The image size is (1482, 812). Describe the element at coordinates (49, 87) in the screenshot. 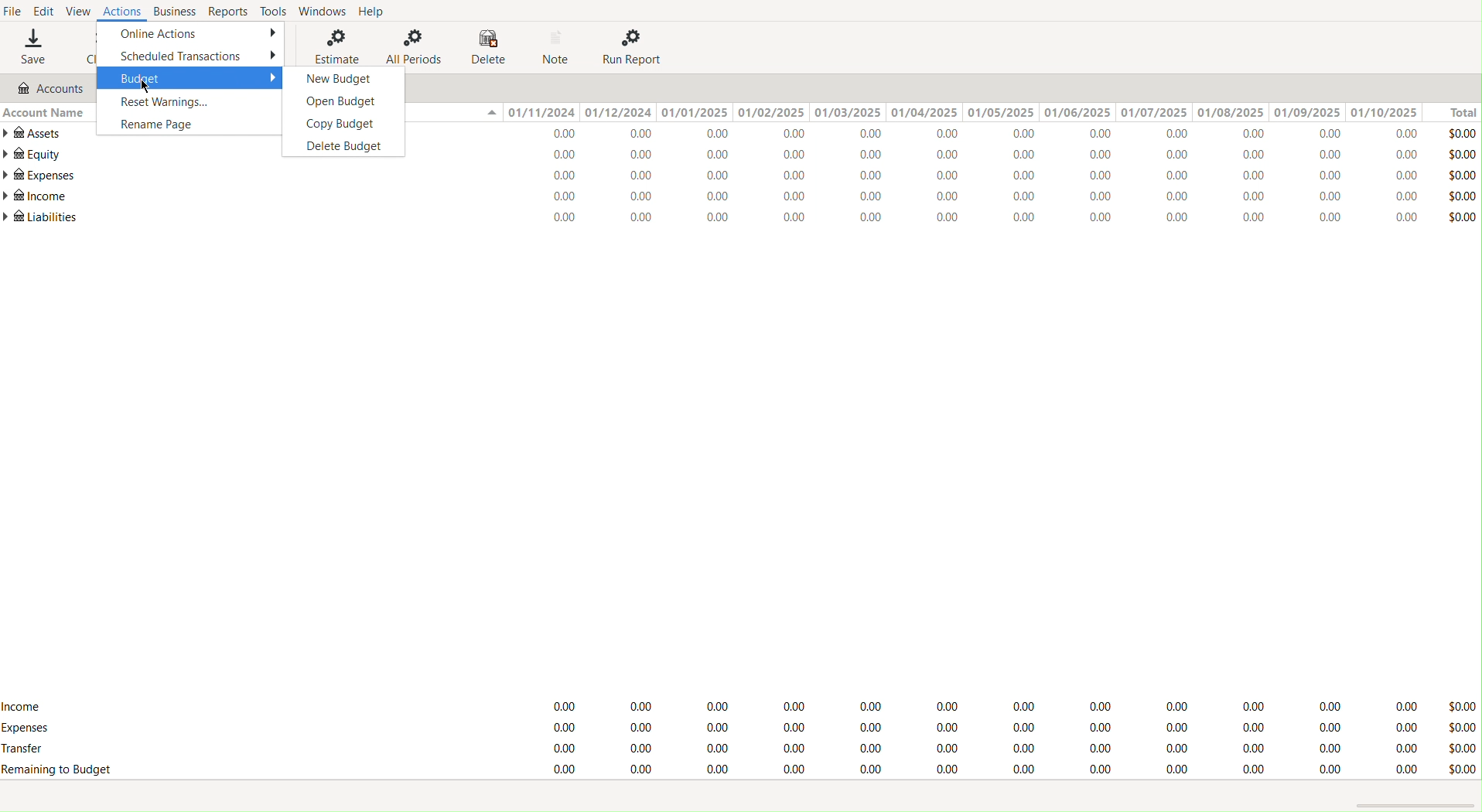

I see `Accounts` at that location.